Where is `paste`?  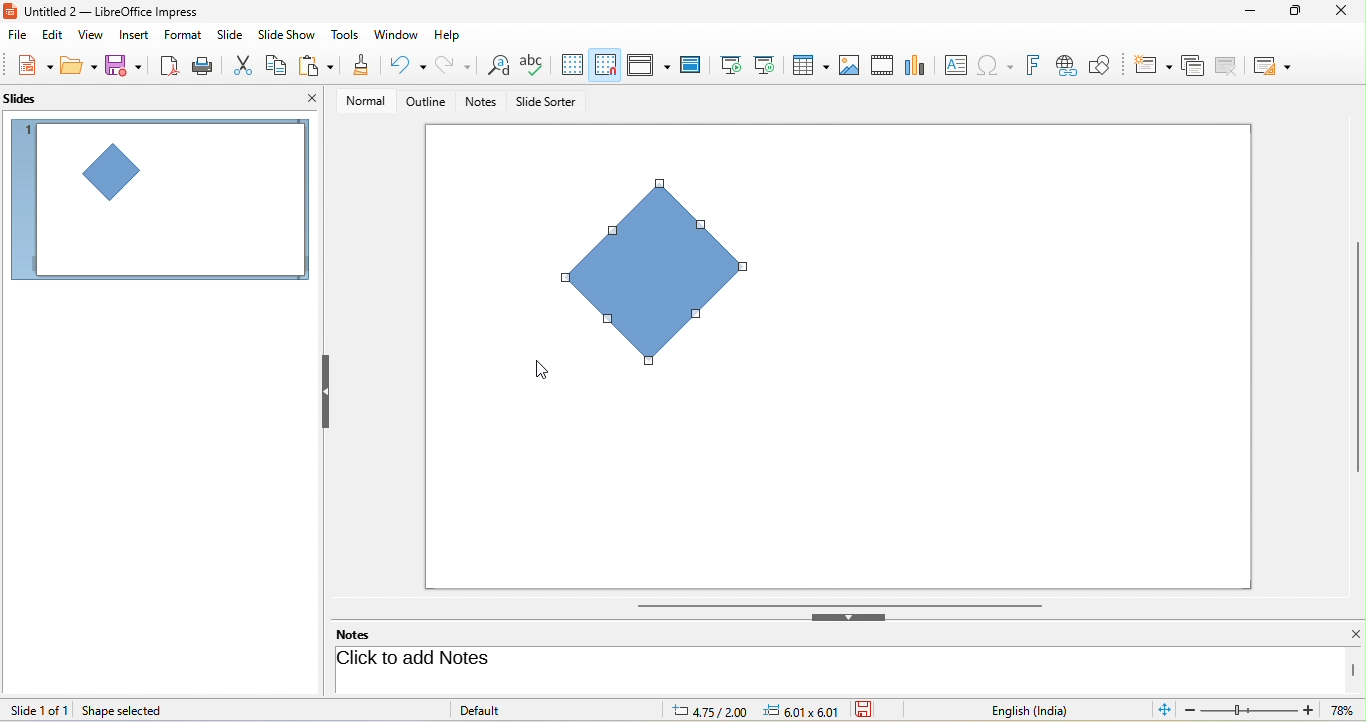
paste is located at coordinates (319, 67).